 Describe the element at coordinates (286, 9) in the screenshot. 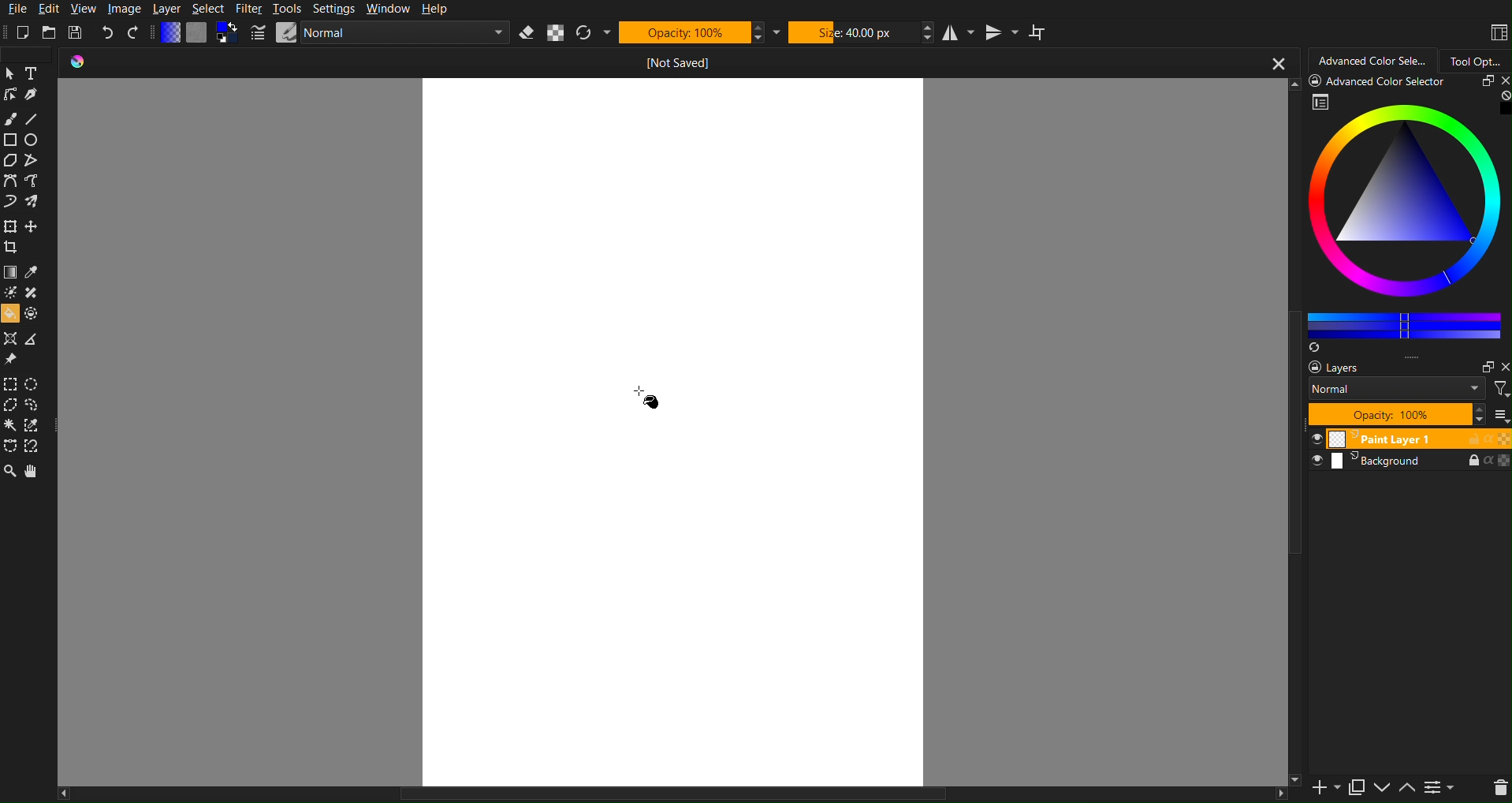

I see `Tools` at that location.